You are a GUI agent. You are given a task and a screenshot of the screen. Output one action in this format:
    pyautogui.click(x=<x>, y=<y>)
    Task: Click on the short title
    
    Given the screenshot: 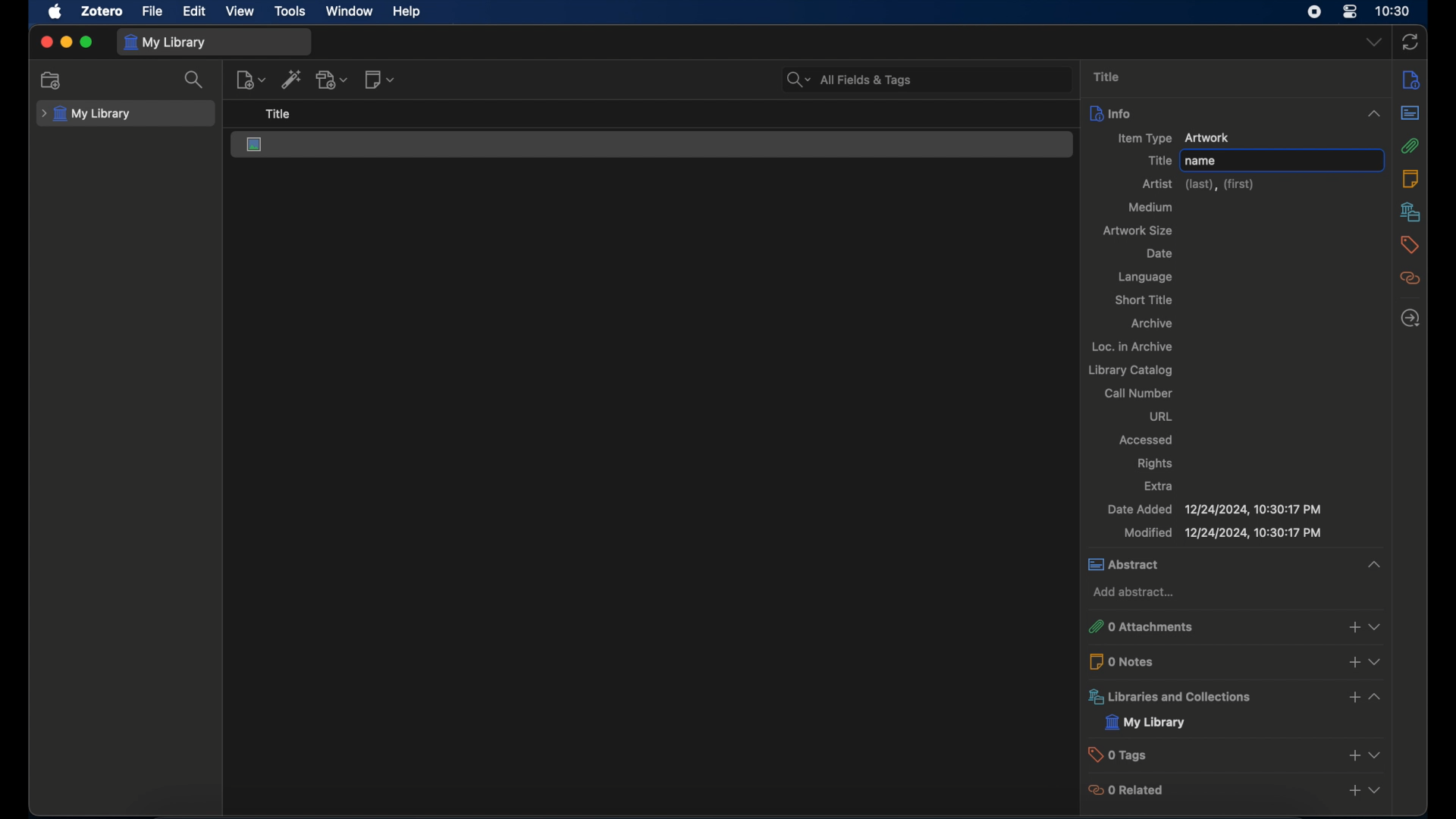 What is the action you would take?
    pyautogui.click(x=1143, y=299)
    